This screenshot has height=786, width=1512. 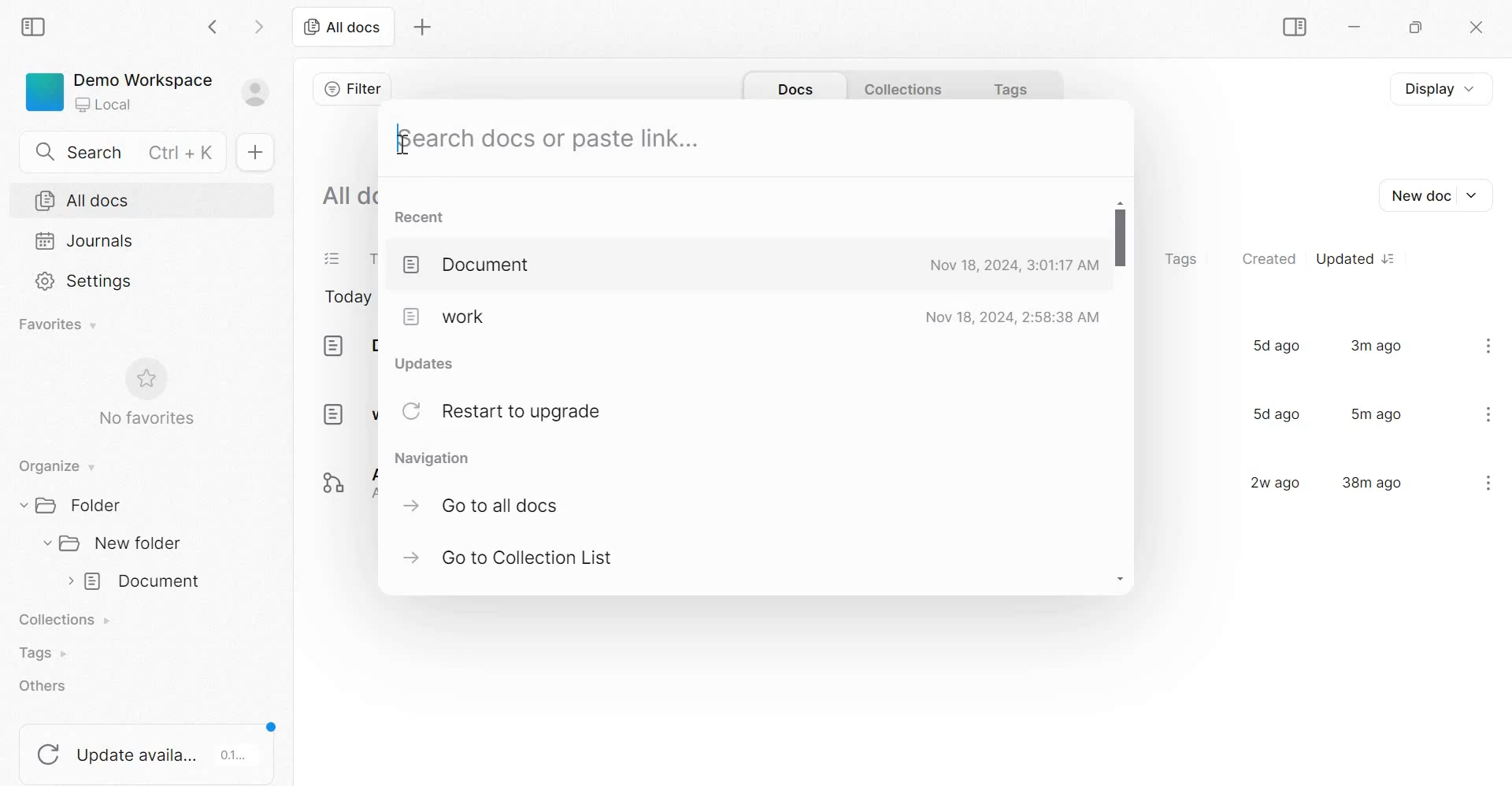 I want to click on work, so click(x=348, y=413).